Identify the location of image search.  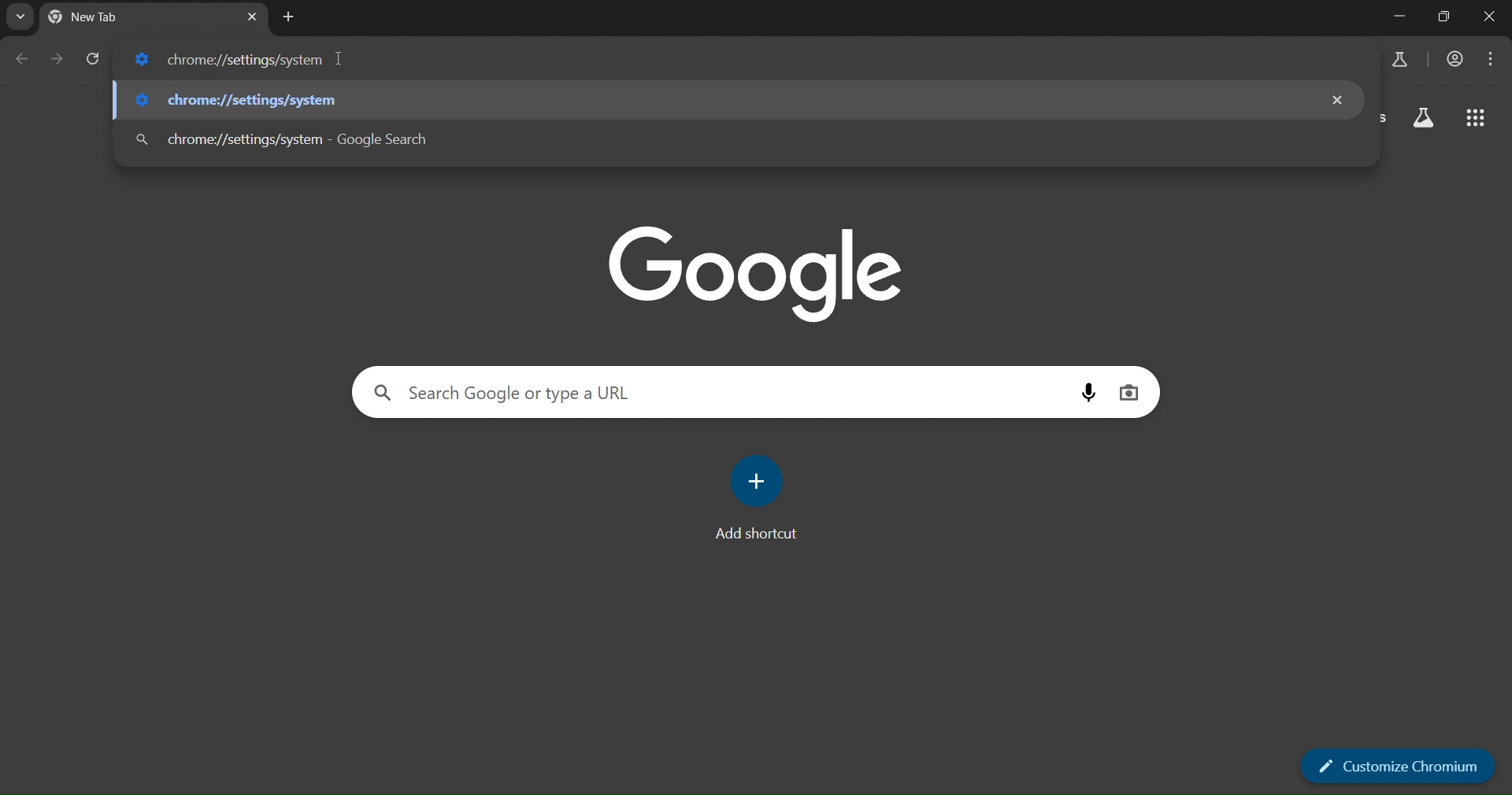
(1130, 392).